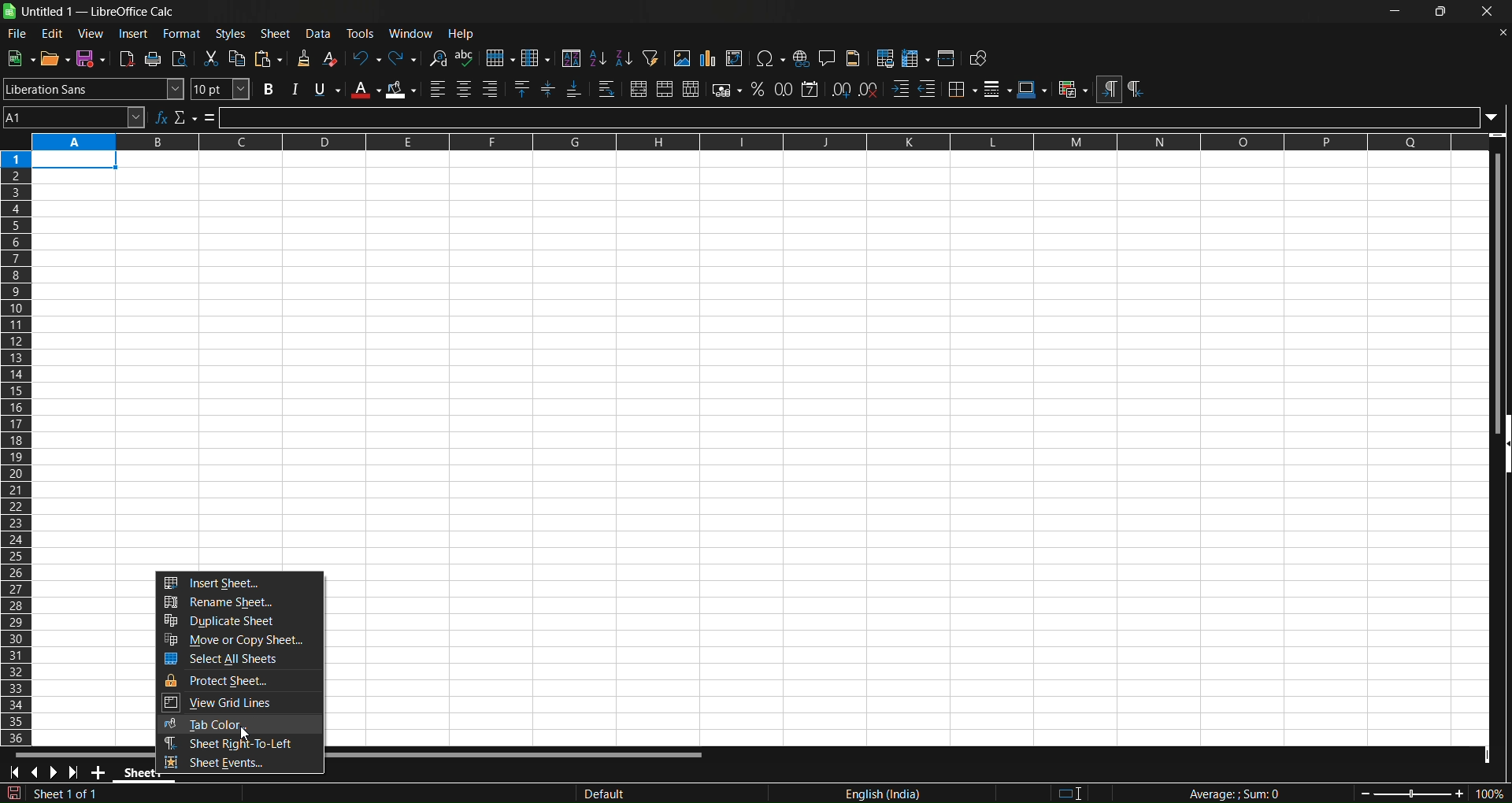 The width and height of the screenshot is (1512, 803). I want to click on styles, so click(231, 33).